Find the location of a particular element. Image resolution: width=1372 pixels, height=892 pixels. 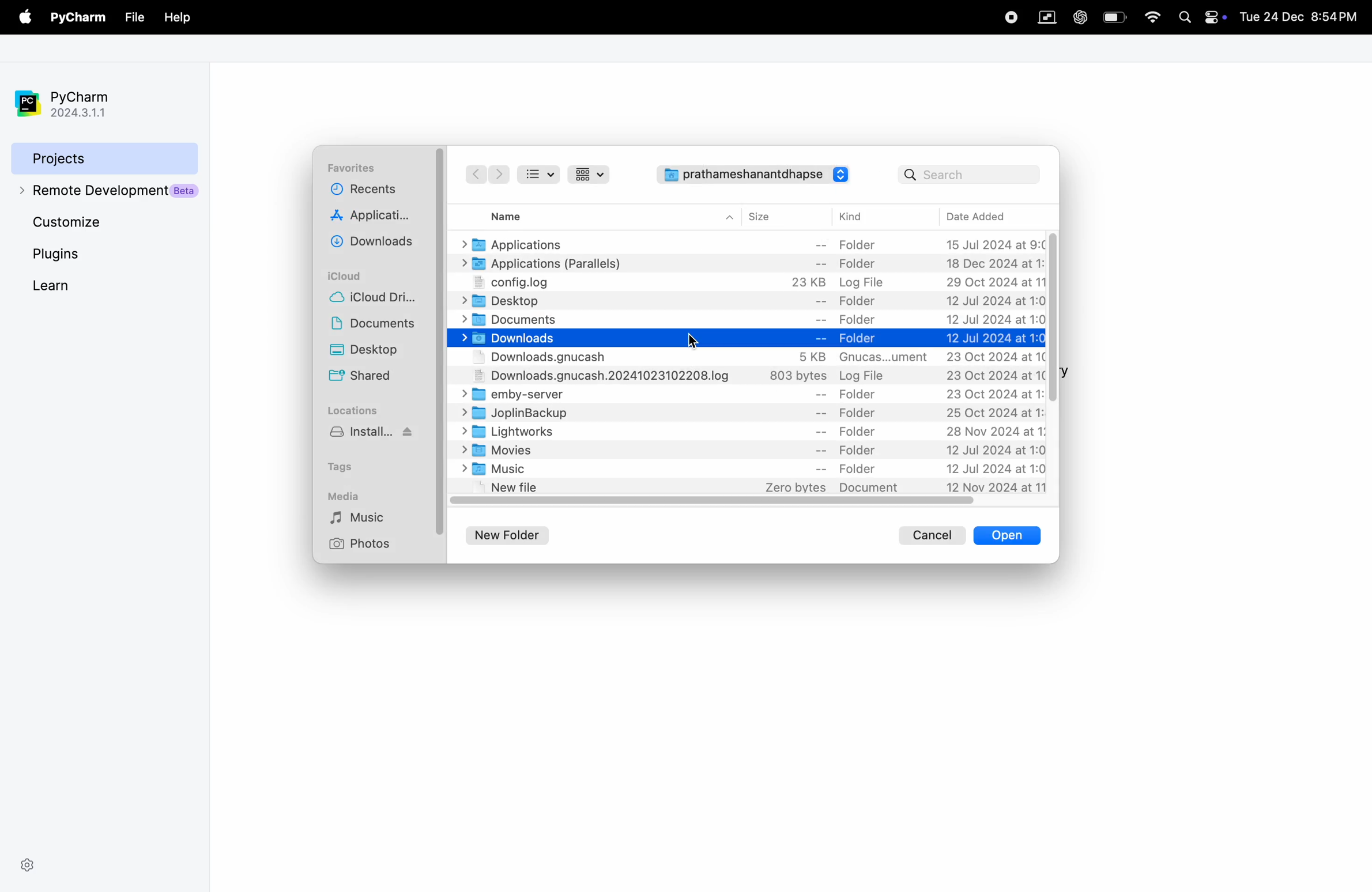

up is located at coordinates (730, 217).